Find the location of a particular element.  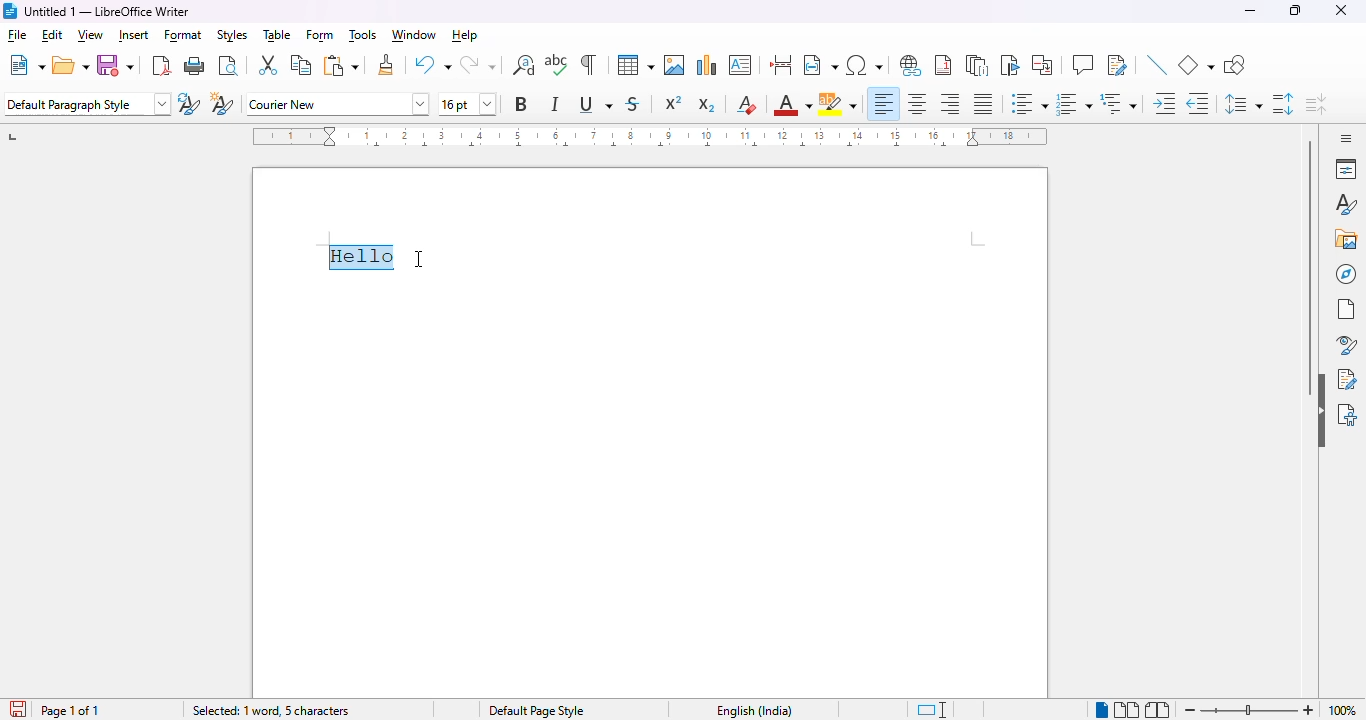

accessibility check is located at coordinates (1347, 413).